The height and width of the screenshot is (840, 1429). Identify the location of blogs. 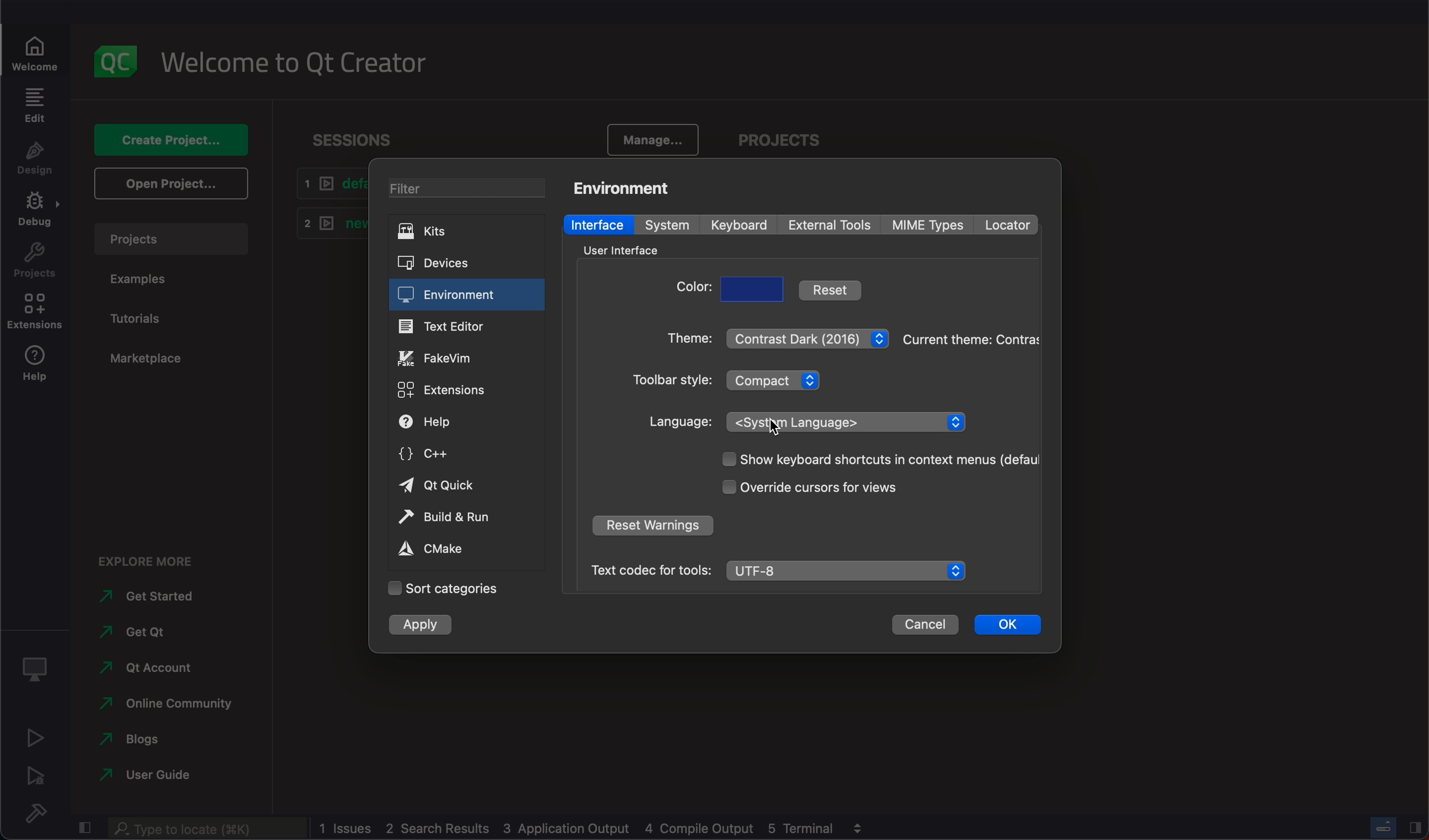
(147, 739).